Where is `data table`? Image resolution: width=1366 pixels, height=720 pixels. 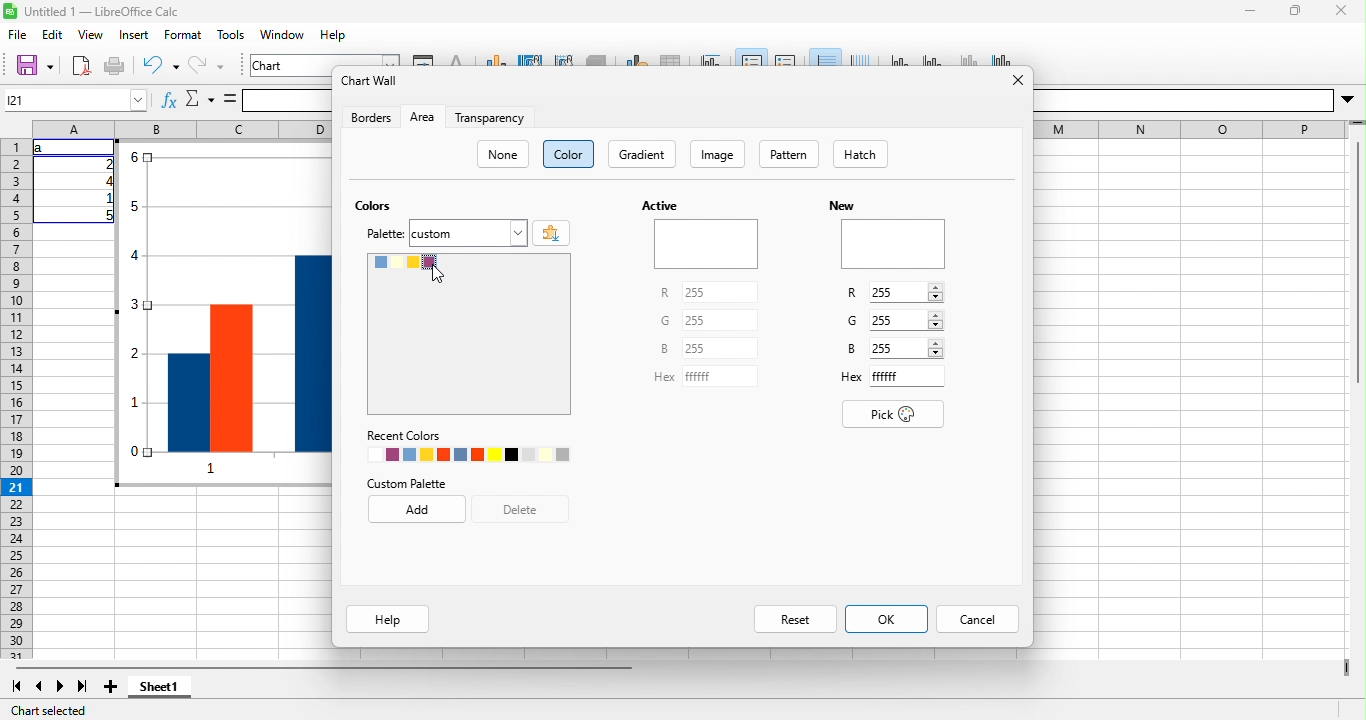 data table is located at coordinates (671, 59).